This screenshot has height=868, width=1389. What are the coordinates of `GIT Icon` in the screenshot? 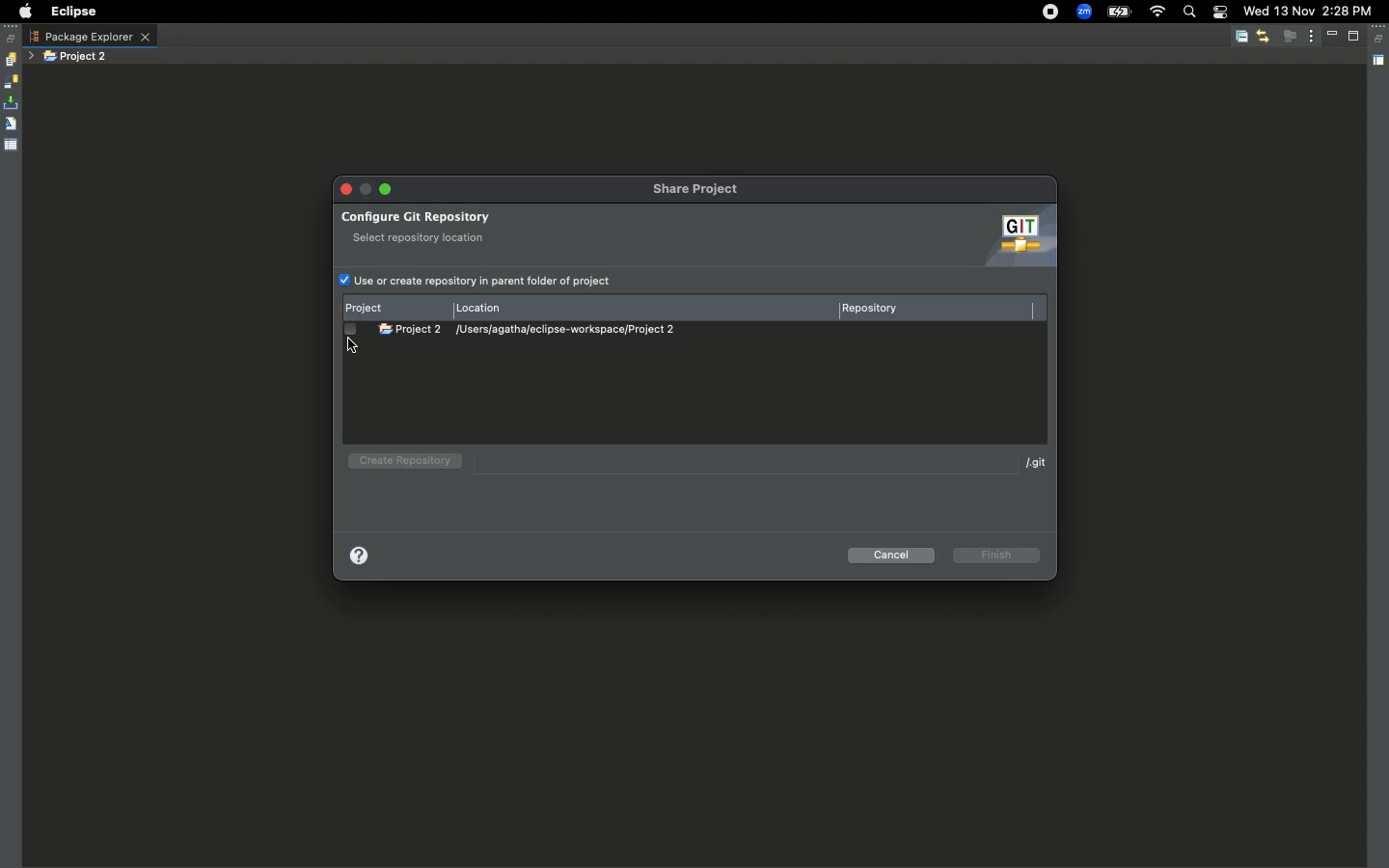 It's located at (1015, 237).